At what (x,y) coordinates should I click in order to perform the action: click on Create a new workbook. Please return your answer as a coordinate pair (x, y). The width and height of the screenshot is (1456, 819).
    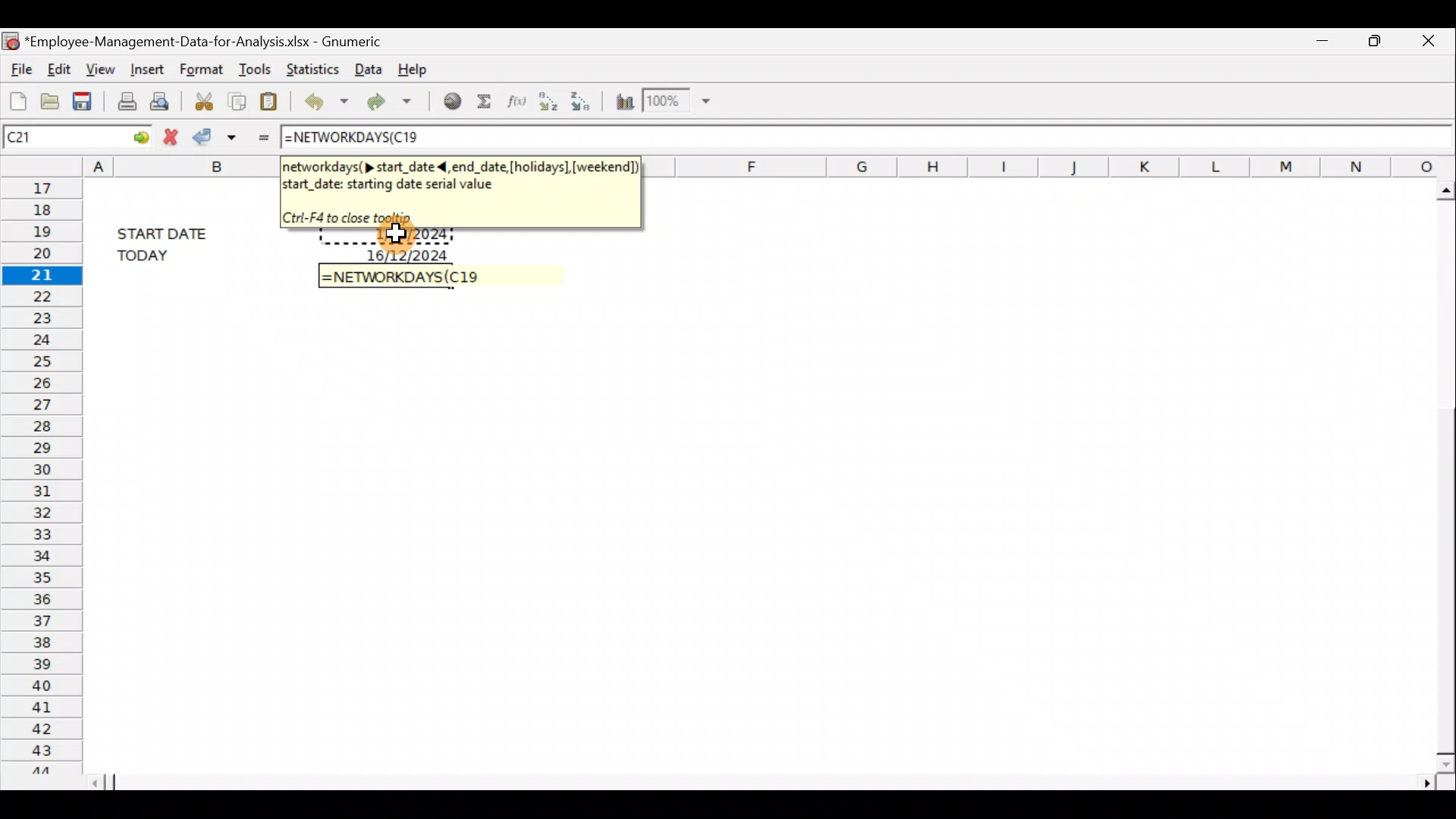
    Looking at the image, I should click on (15, 97).